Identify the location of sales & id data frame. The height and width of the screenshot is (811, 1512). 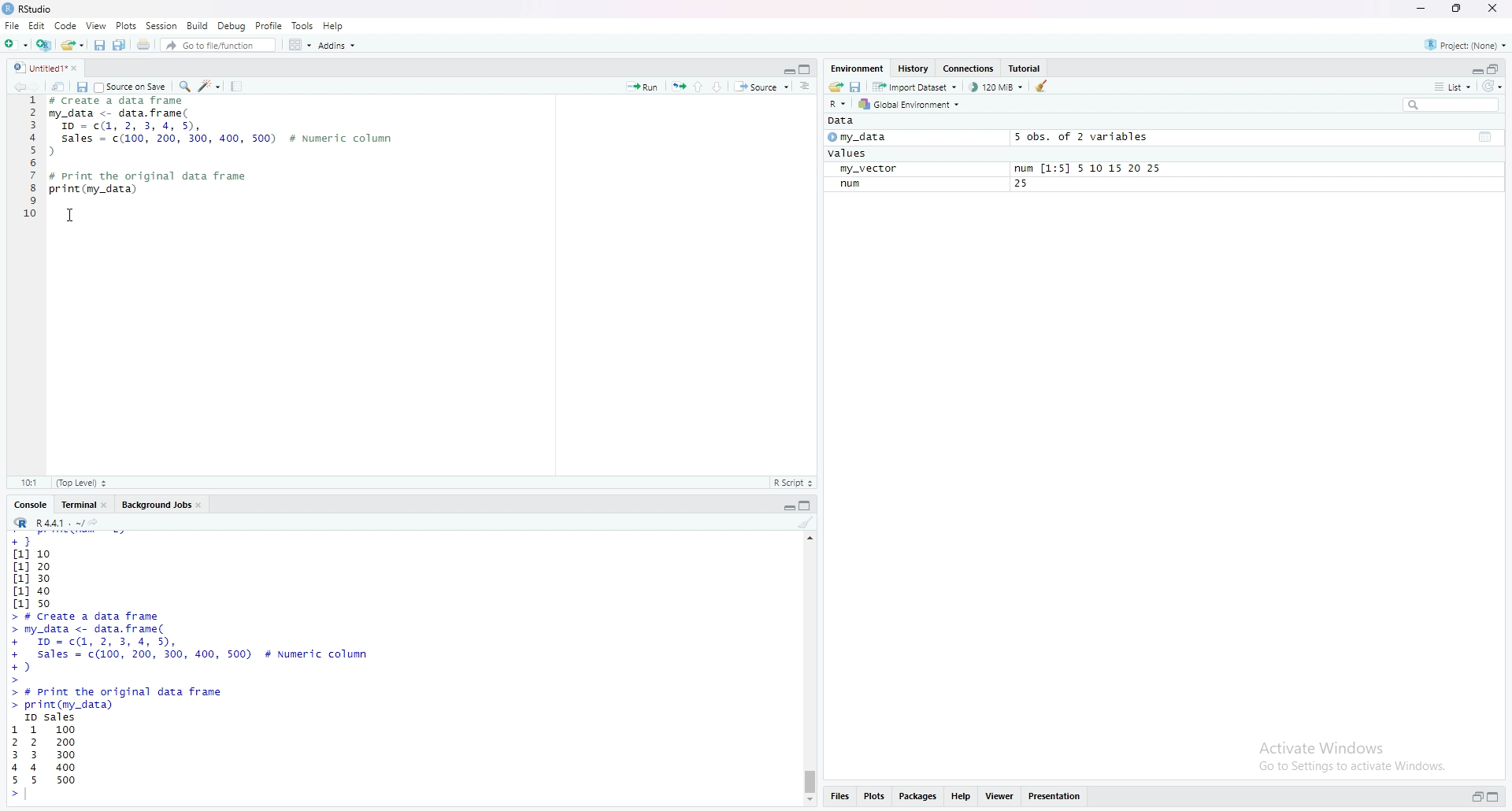
(214, 648).